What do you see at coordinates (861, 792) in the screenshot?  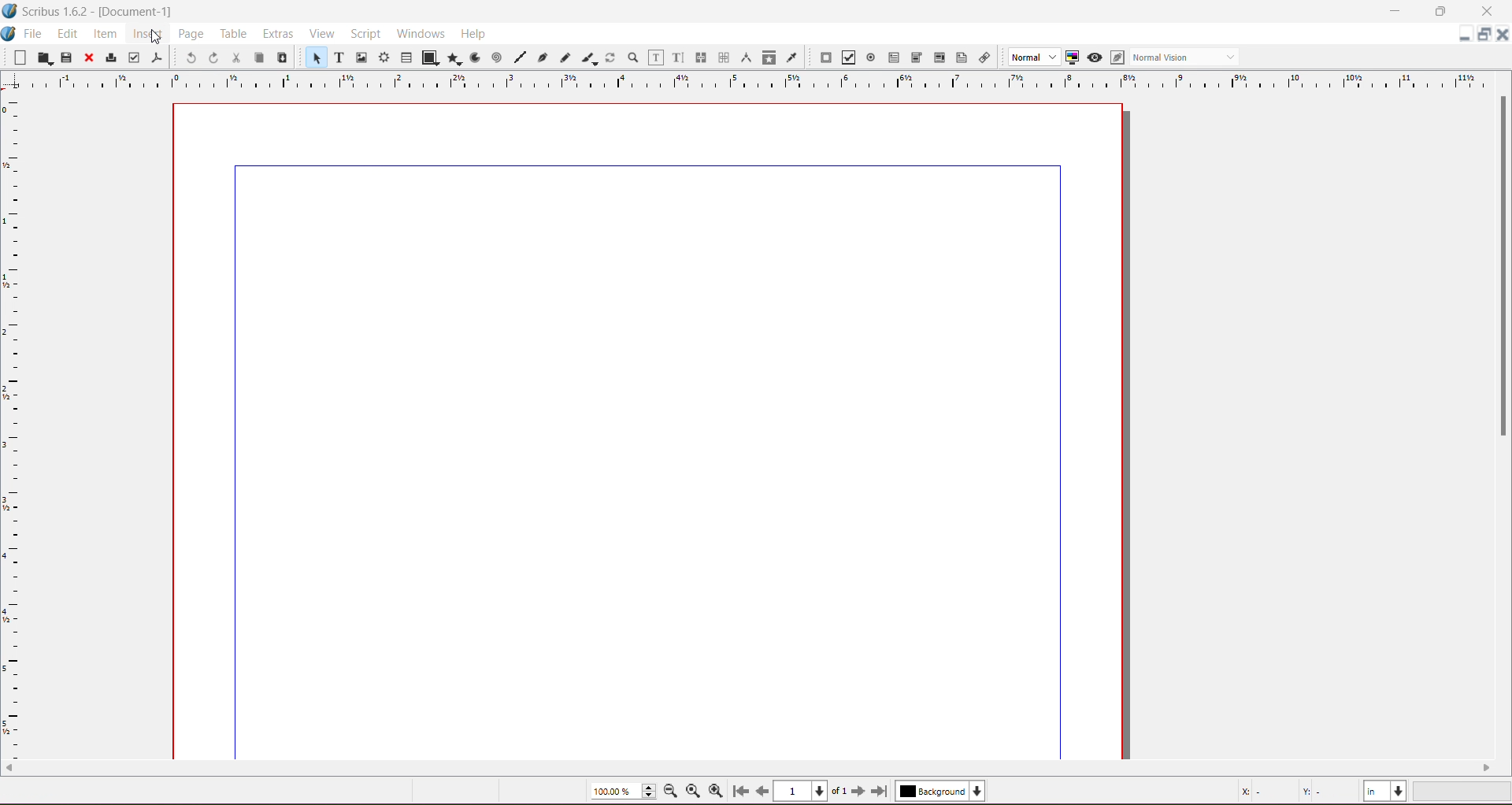 I see `Go to next page` at bounding box center [861, 792].